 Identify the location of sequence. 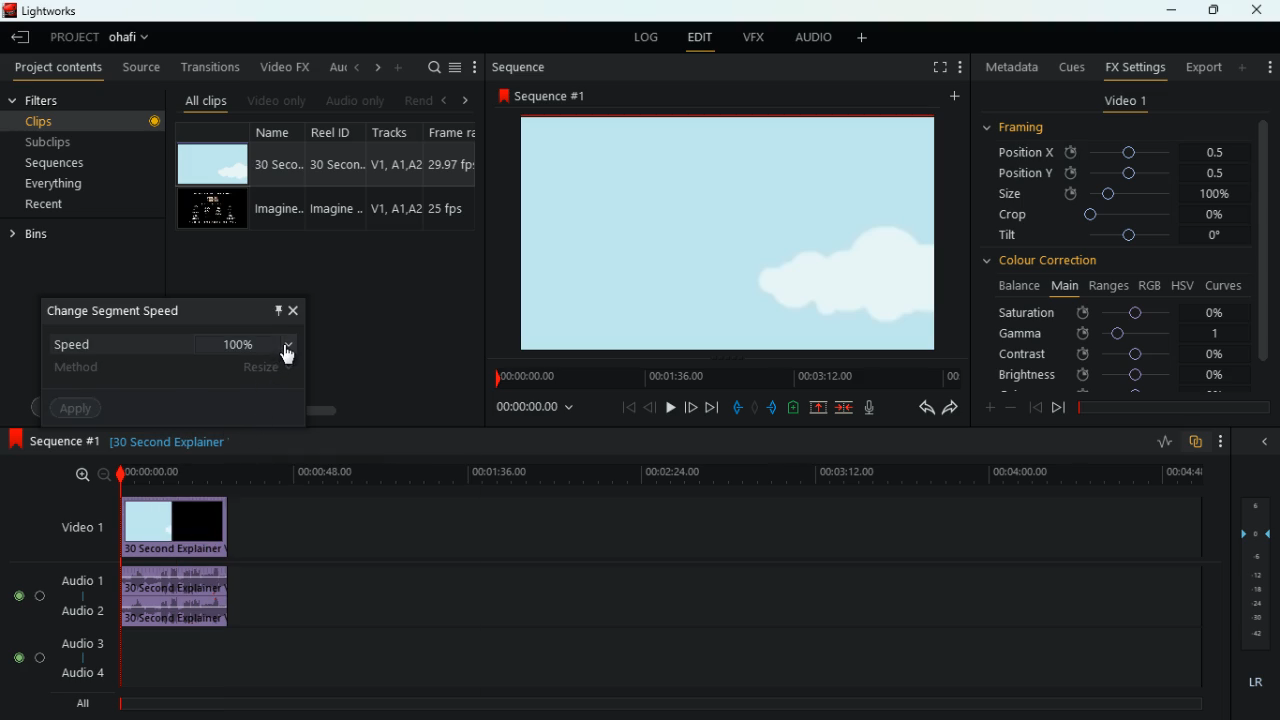
(51, 439).